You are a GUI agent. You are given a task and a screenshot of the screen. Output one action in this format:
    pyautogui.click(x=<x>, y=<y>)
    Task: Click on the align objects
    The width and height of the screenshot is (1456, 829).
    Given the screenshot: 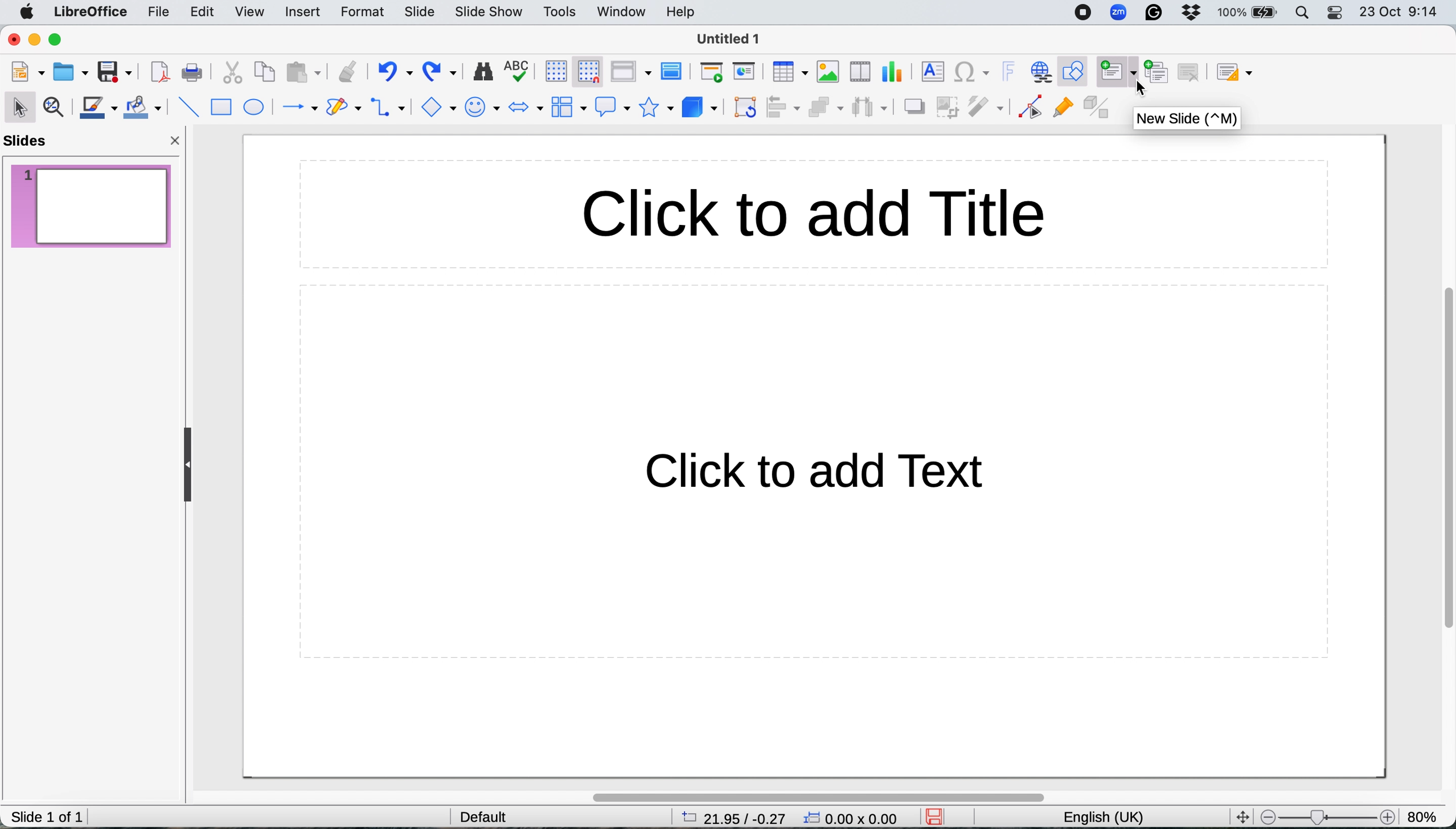 What is the action you would take?
    pyautogui.click(x=784, y=108)
    